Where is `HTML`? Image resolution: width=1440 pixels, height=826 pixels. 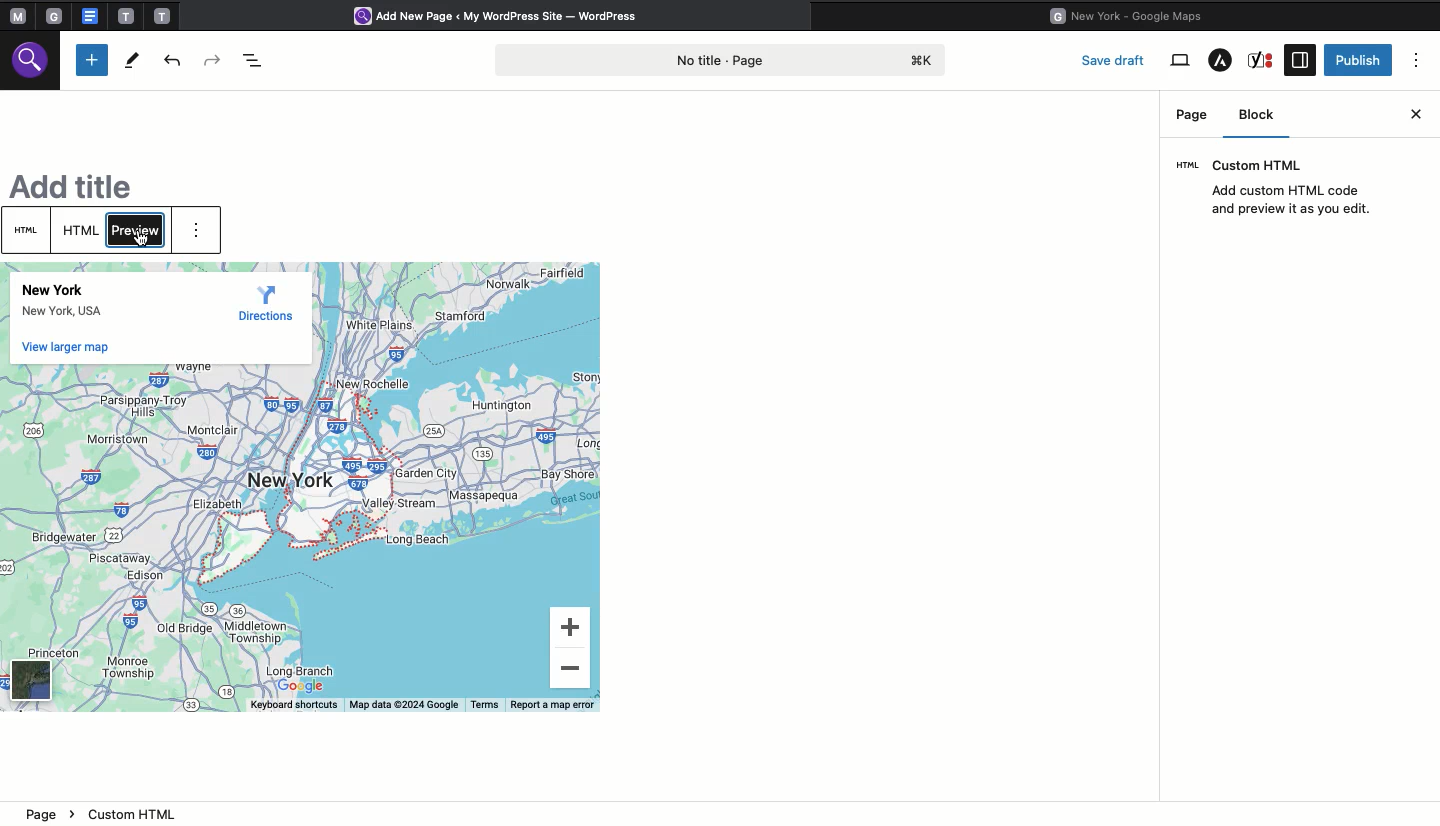
HTML is located at coordinates (29, 230).